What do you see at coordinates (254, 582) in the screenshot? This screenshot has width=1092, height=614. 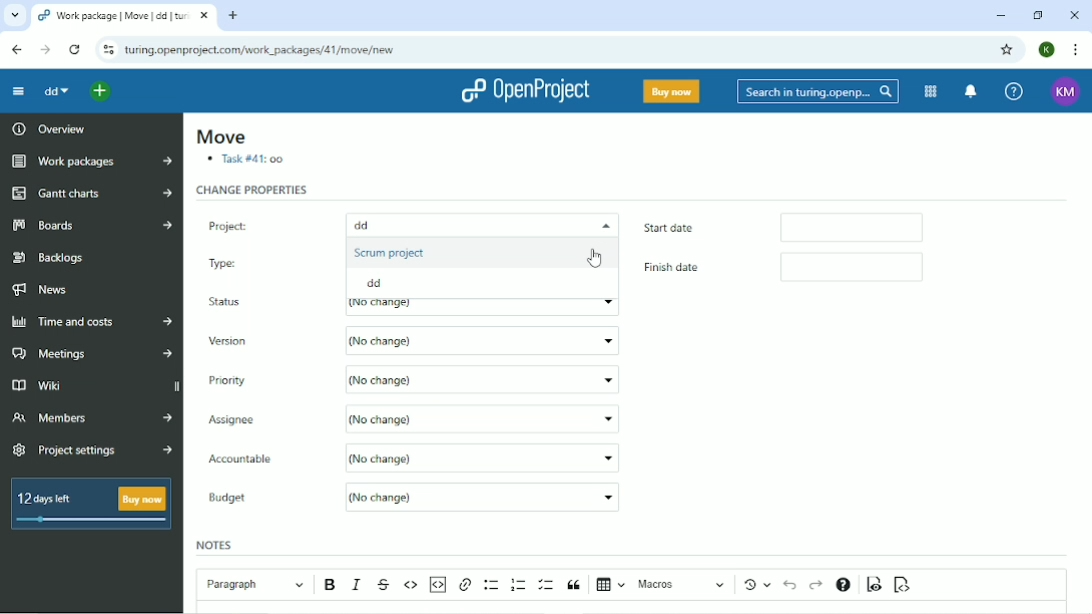 I see `Paragraph` at bounding box center [254, 582].